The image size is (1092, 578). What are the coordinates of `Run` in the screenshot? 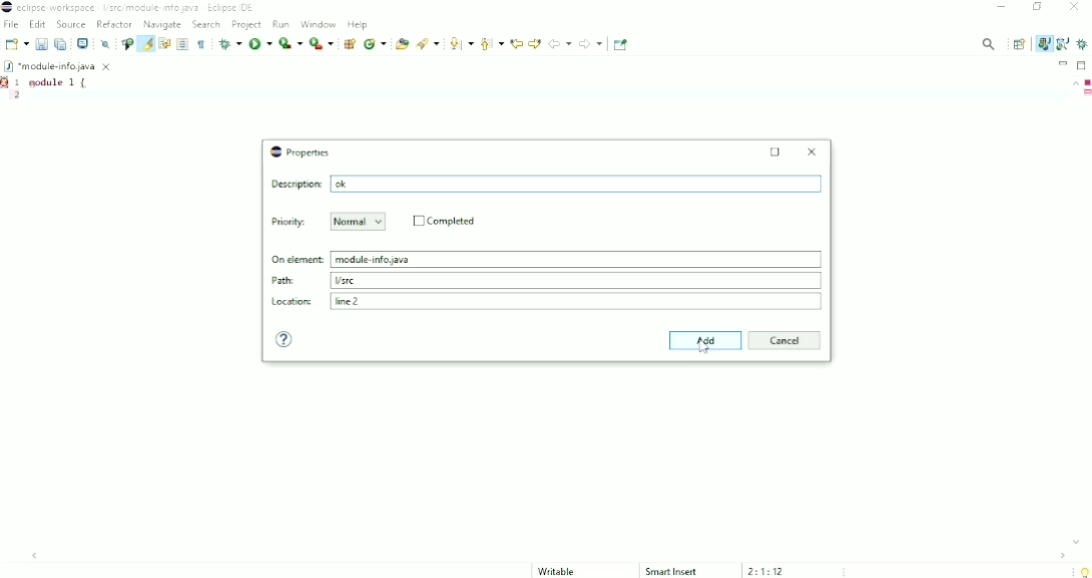 It's located at (283, 23).